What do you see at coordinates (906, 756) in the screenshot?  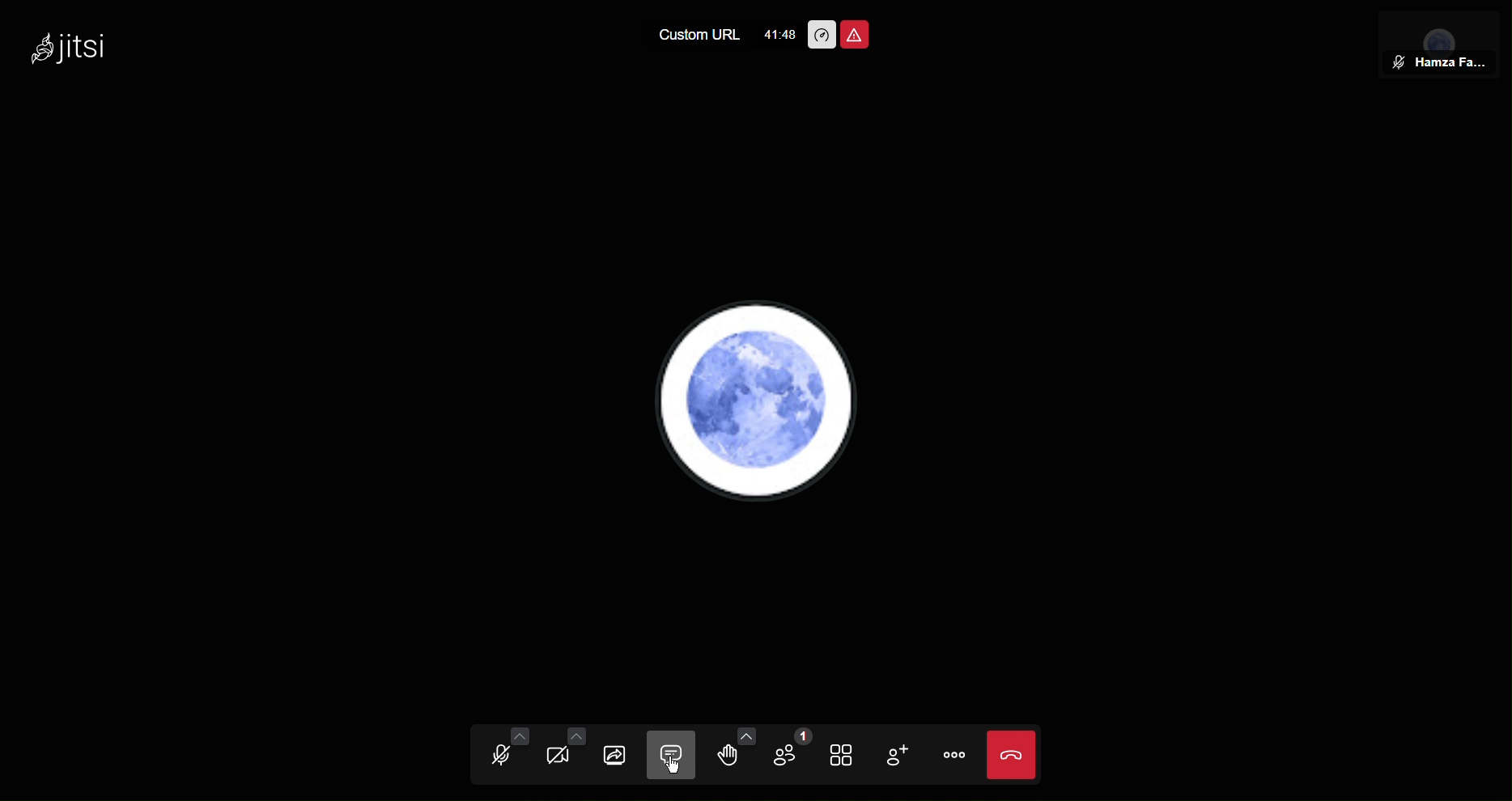 I see `Add Participant` at bounding box center [906, 756].